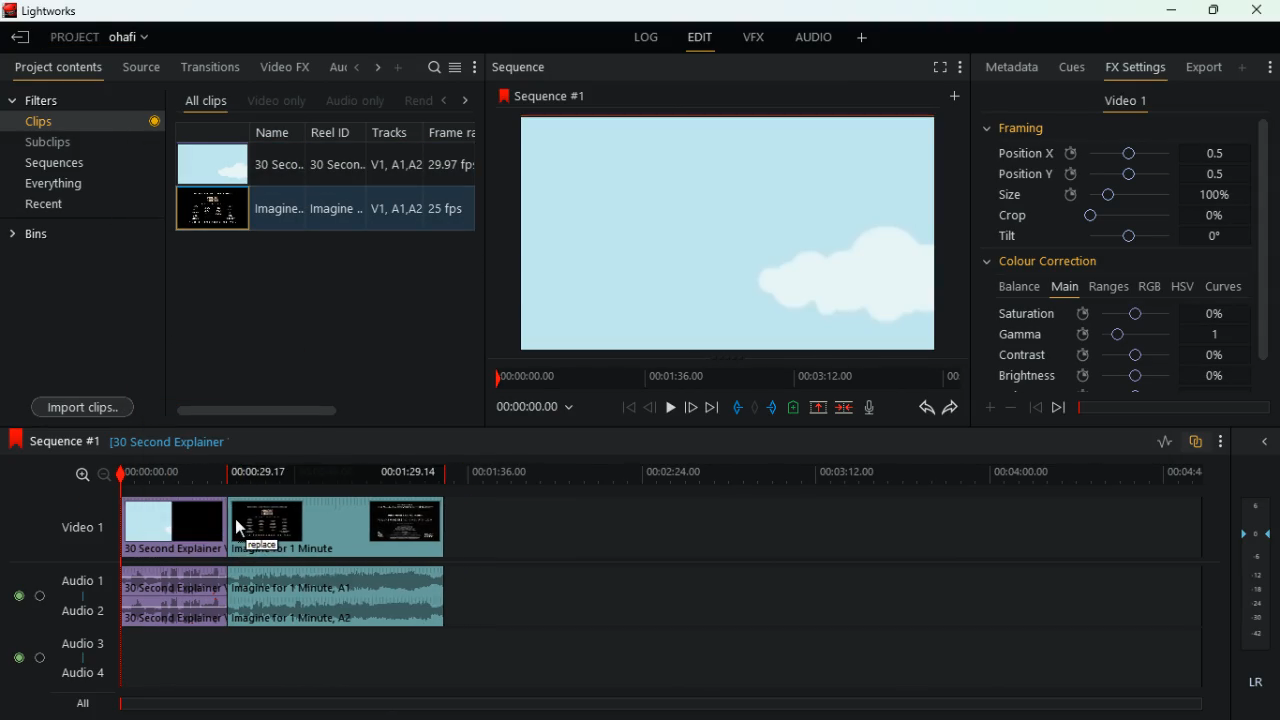  Describe the element at coordinates (1035, 407) in the screenshot. I see `back` at that location.